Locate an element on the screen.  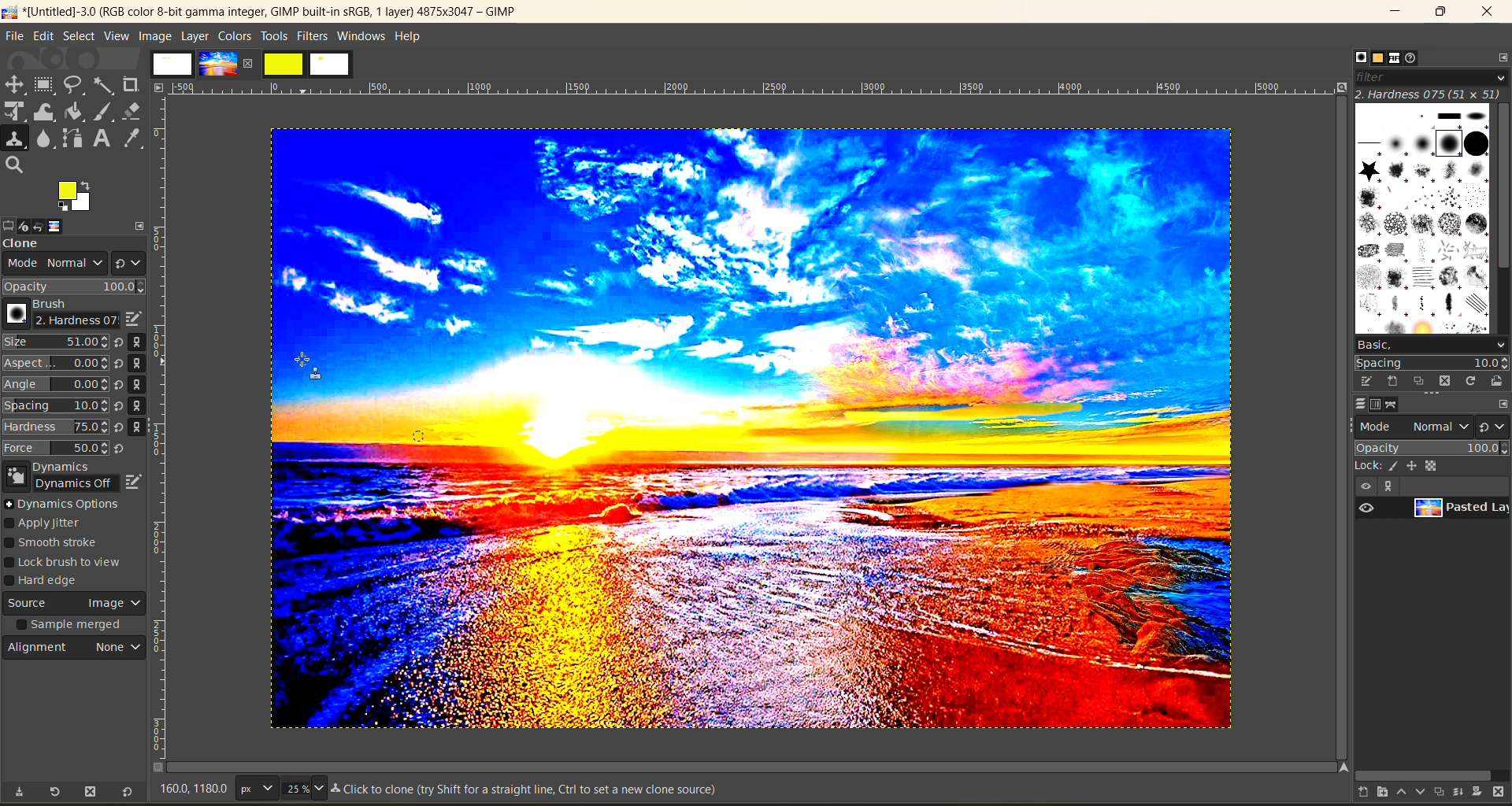
clone tool is located at coordinates (15, 139).